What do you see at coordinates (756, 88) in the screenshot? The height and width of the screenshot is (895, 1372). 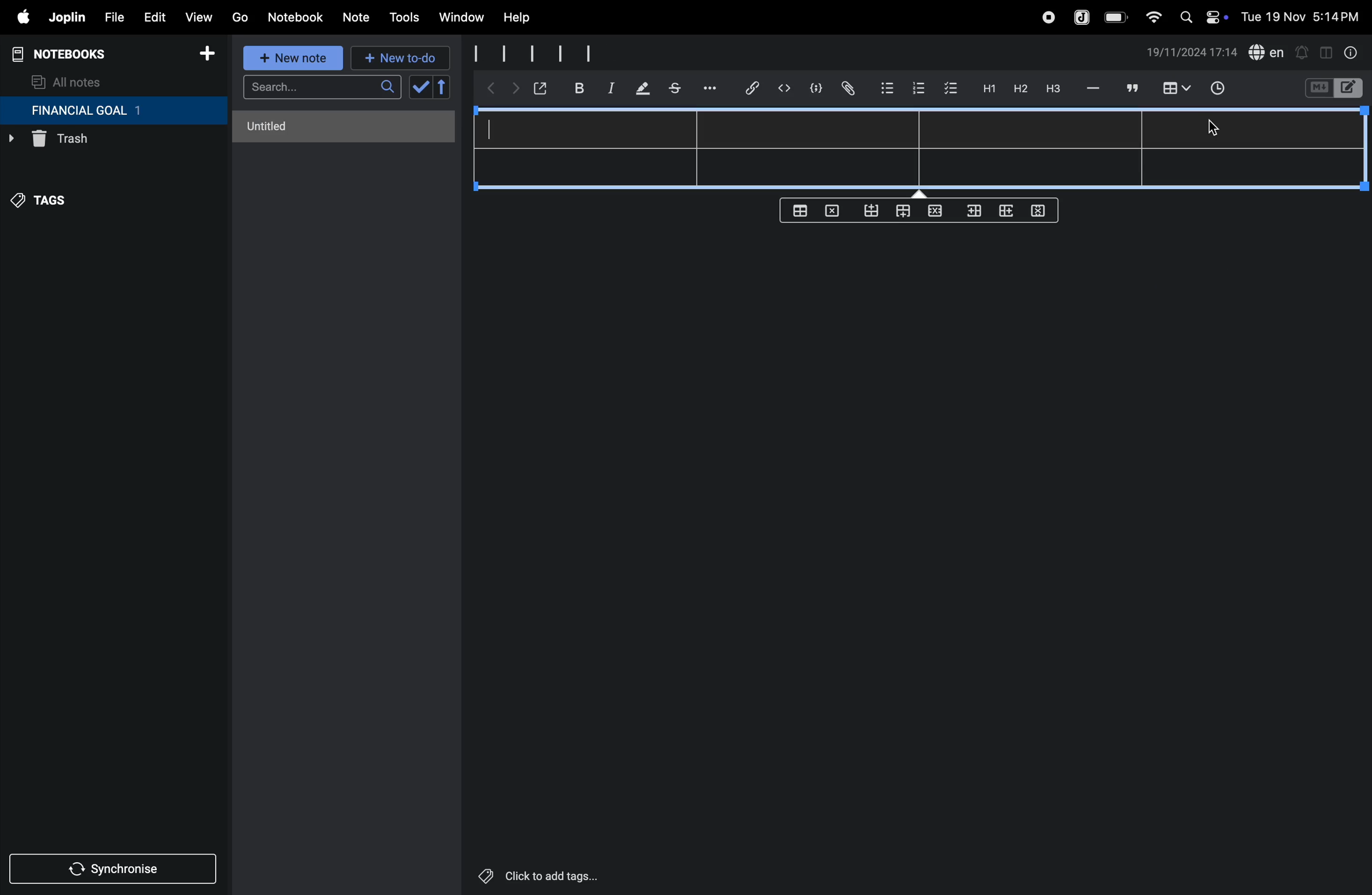 I see `hyper link` at bounding box center [756, 88].